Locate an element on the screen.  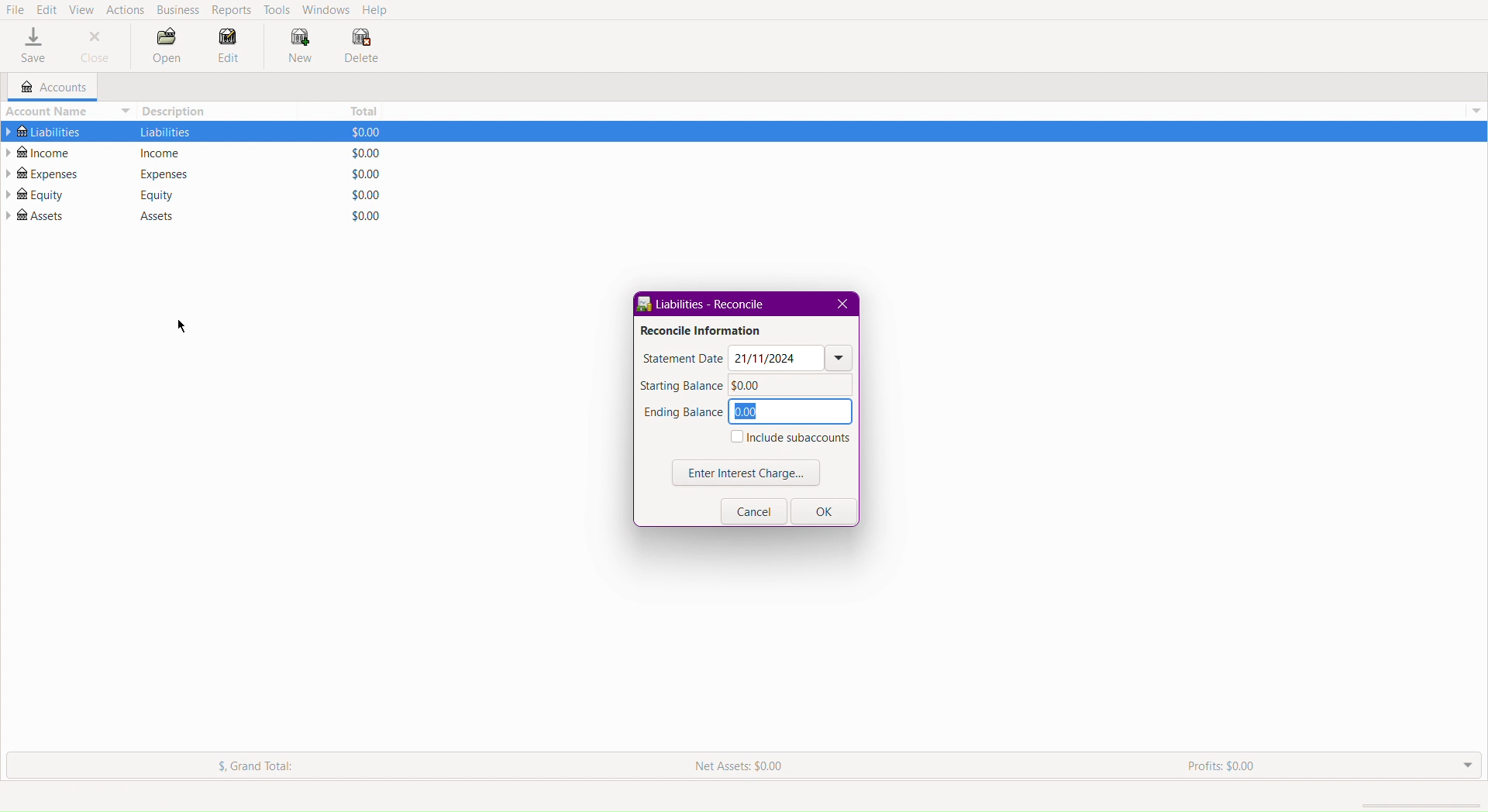
Edit is located at coordinates (232, 47).